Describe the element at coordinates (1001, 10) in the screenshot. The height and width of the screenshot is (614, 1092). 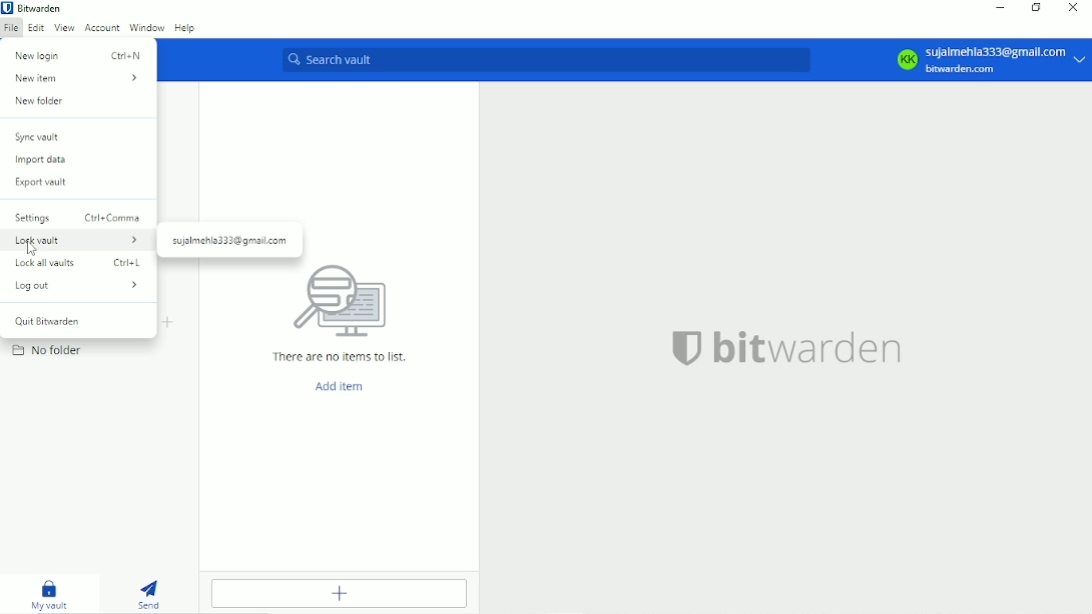
I see `Minimize` at that location.